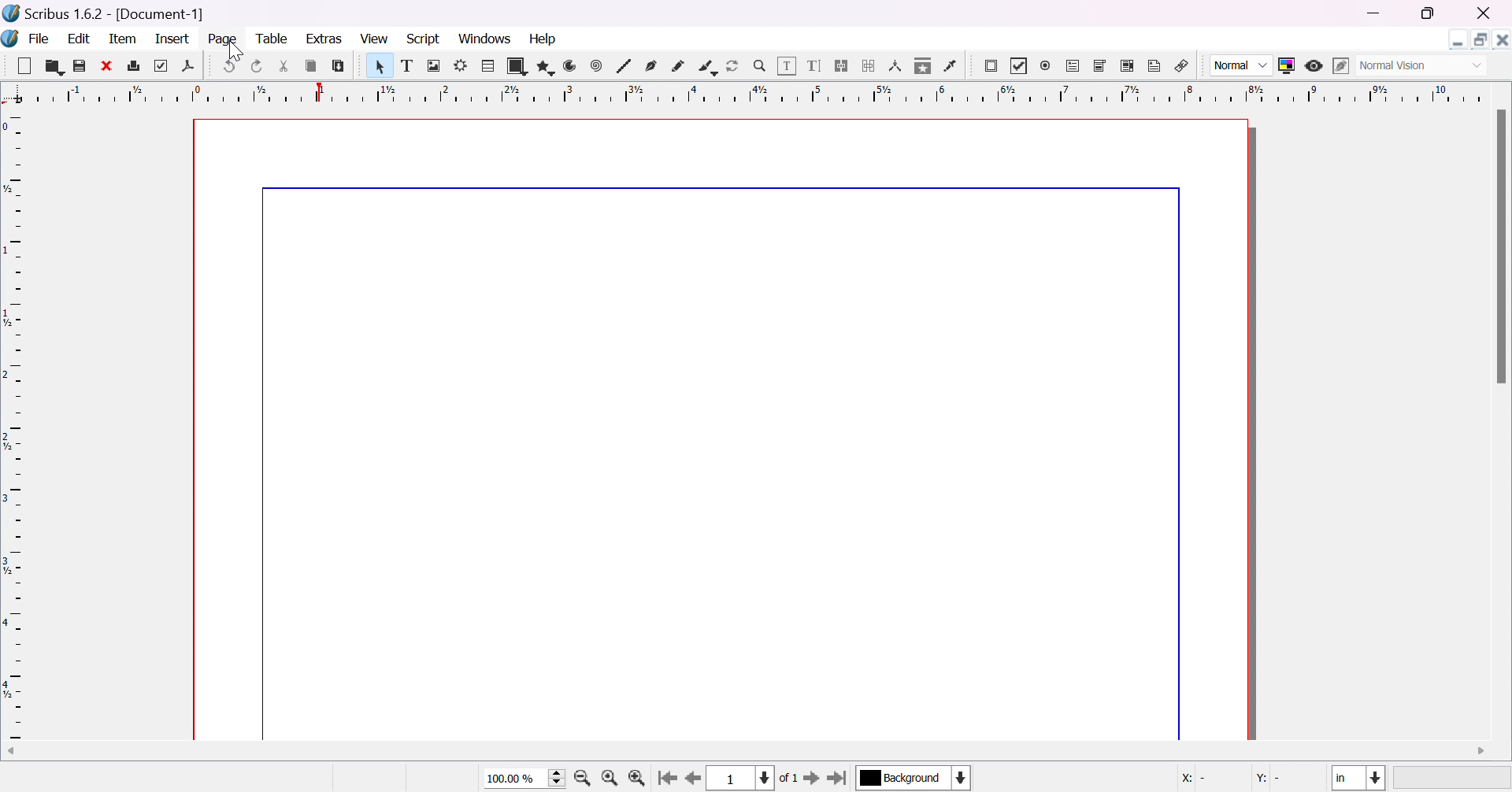  What do you see at coordinates (1158, 67) in the screenshot?
I see `text annotation` at bounding box center [1158, 67].